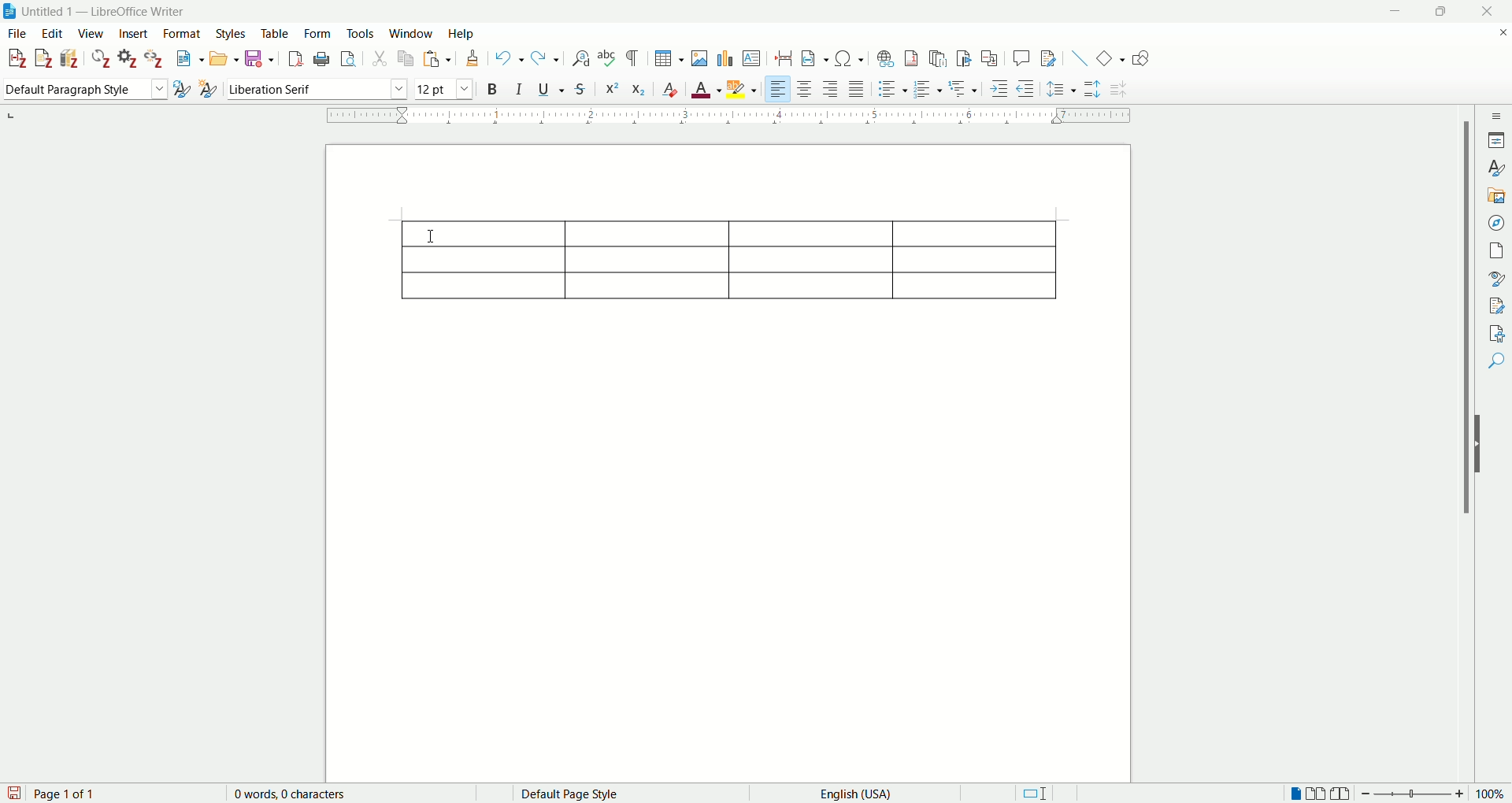 Image resolution: width=1512 pixels, height=803 pixels. What do you see at coordinates (16, 60) in the screenshot?
I see `add citation` at bounding box center [16, 60].